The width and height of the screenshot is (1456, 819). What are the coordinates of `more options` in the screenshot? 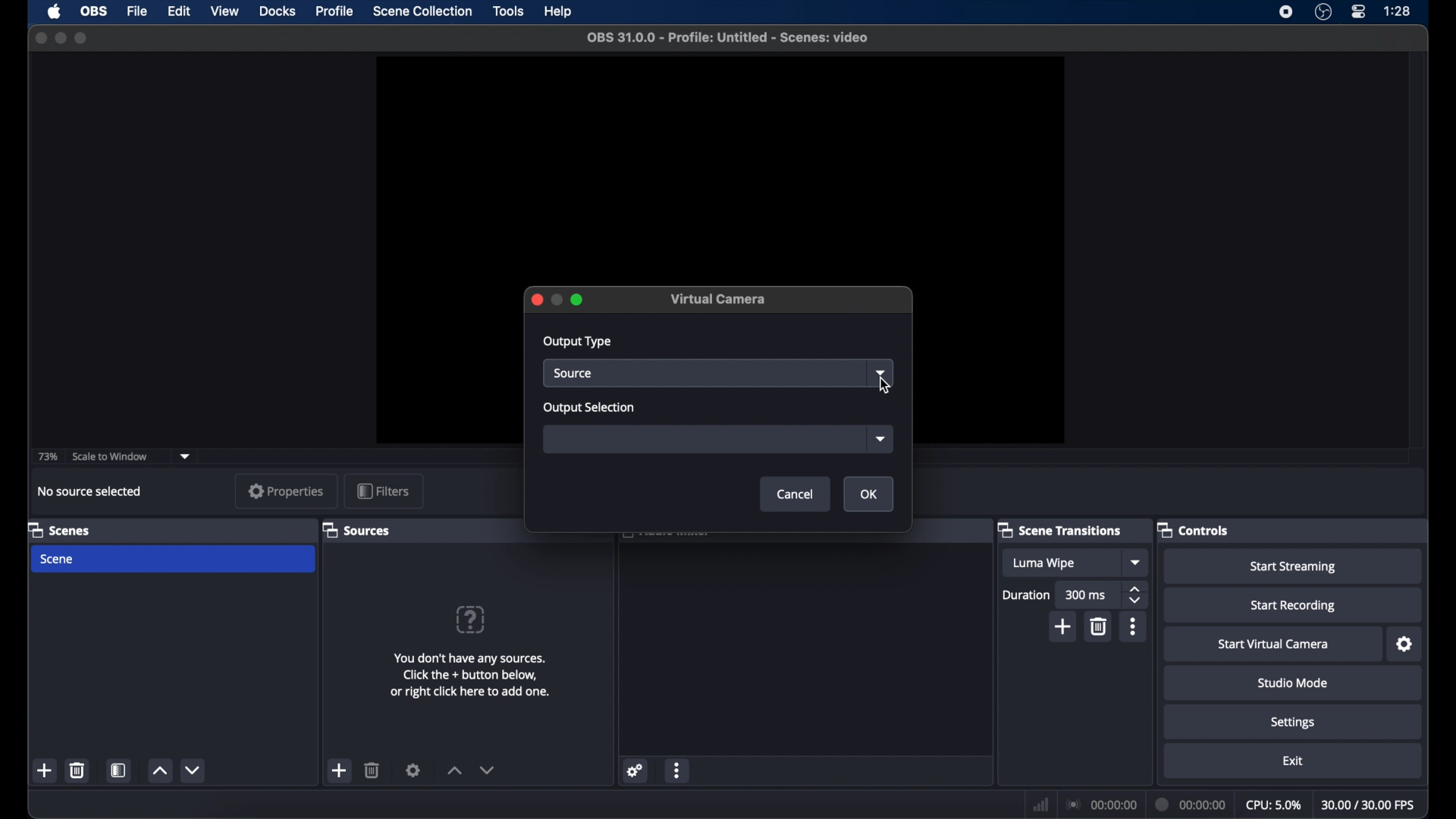 It's located at (679, 770).